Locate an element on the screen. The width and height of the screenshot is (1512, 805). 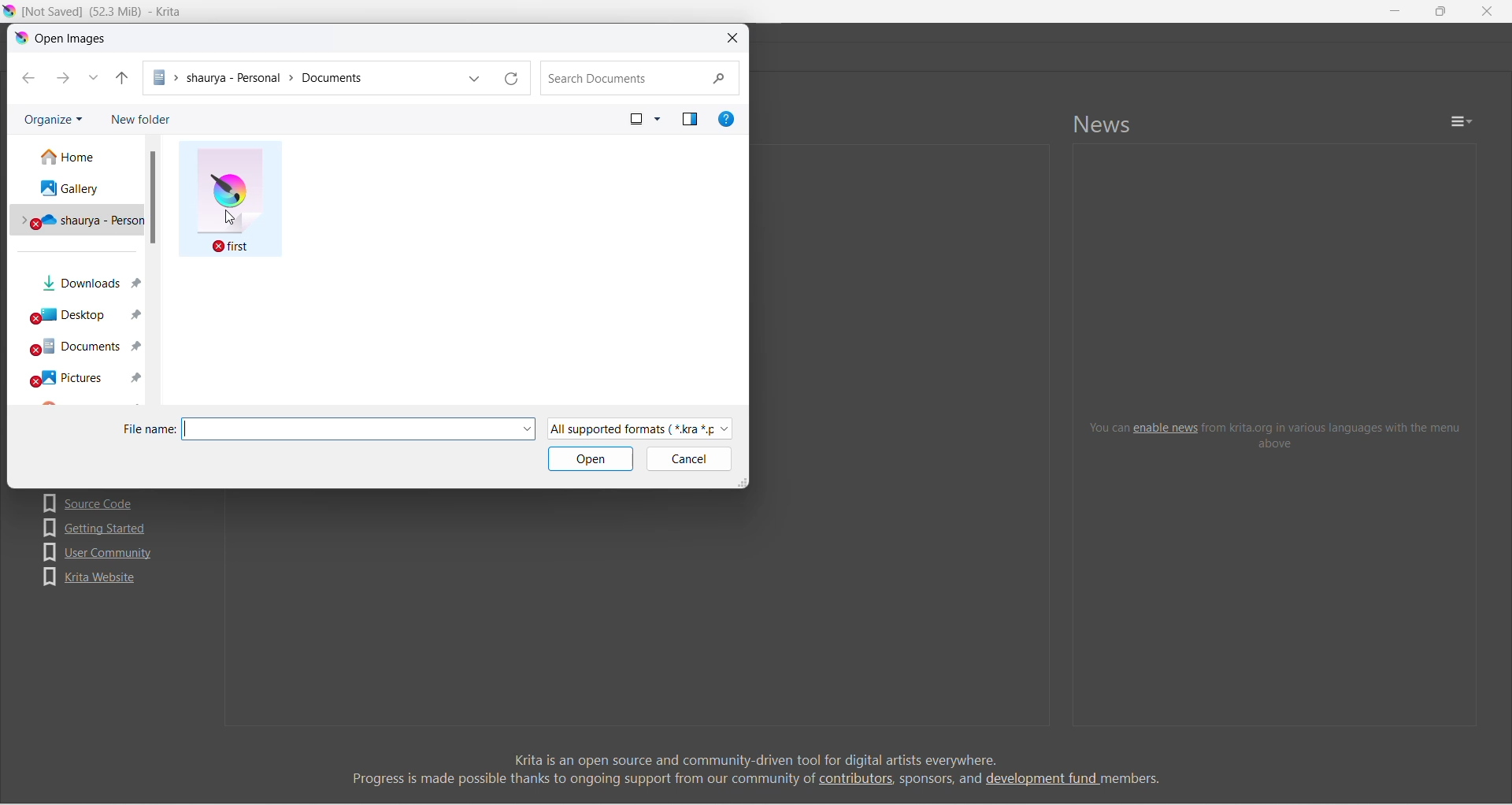
minimize is located at coordinates (1395, 11).